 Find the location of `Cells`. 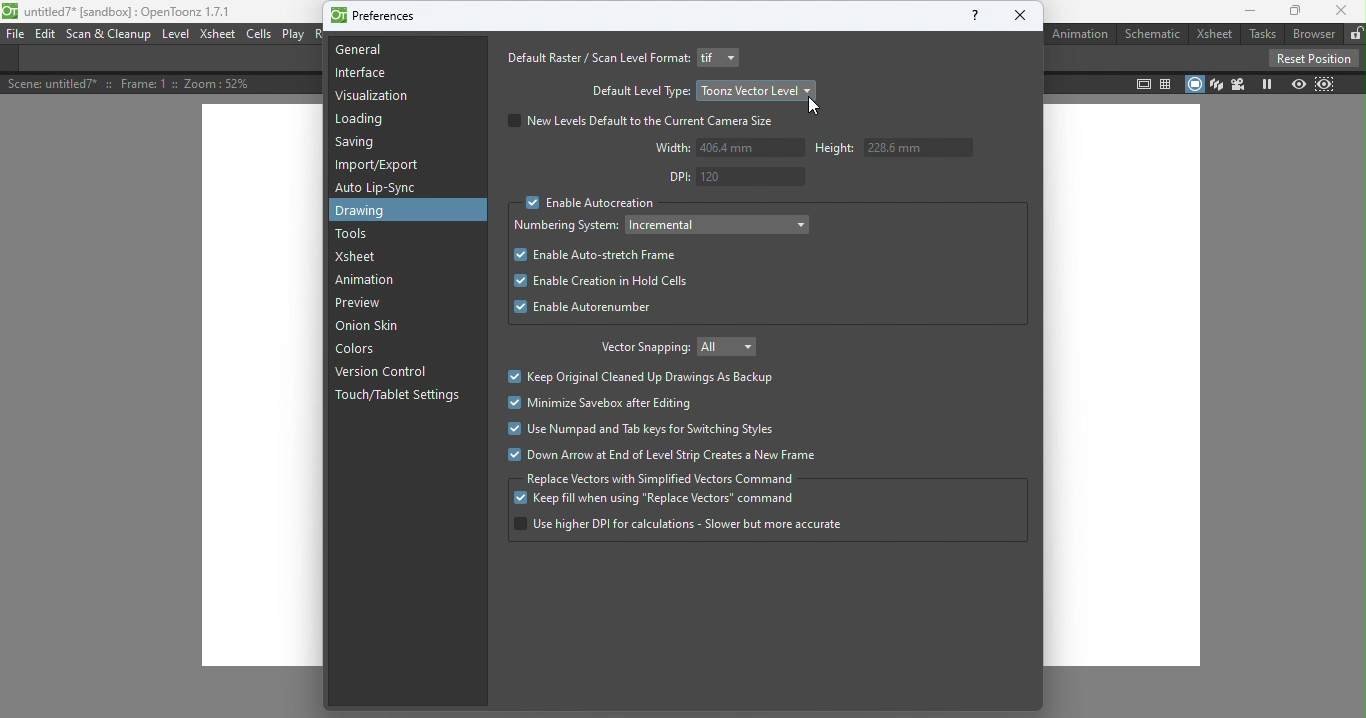

Cells is located at coordinates (261, 35).